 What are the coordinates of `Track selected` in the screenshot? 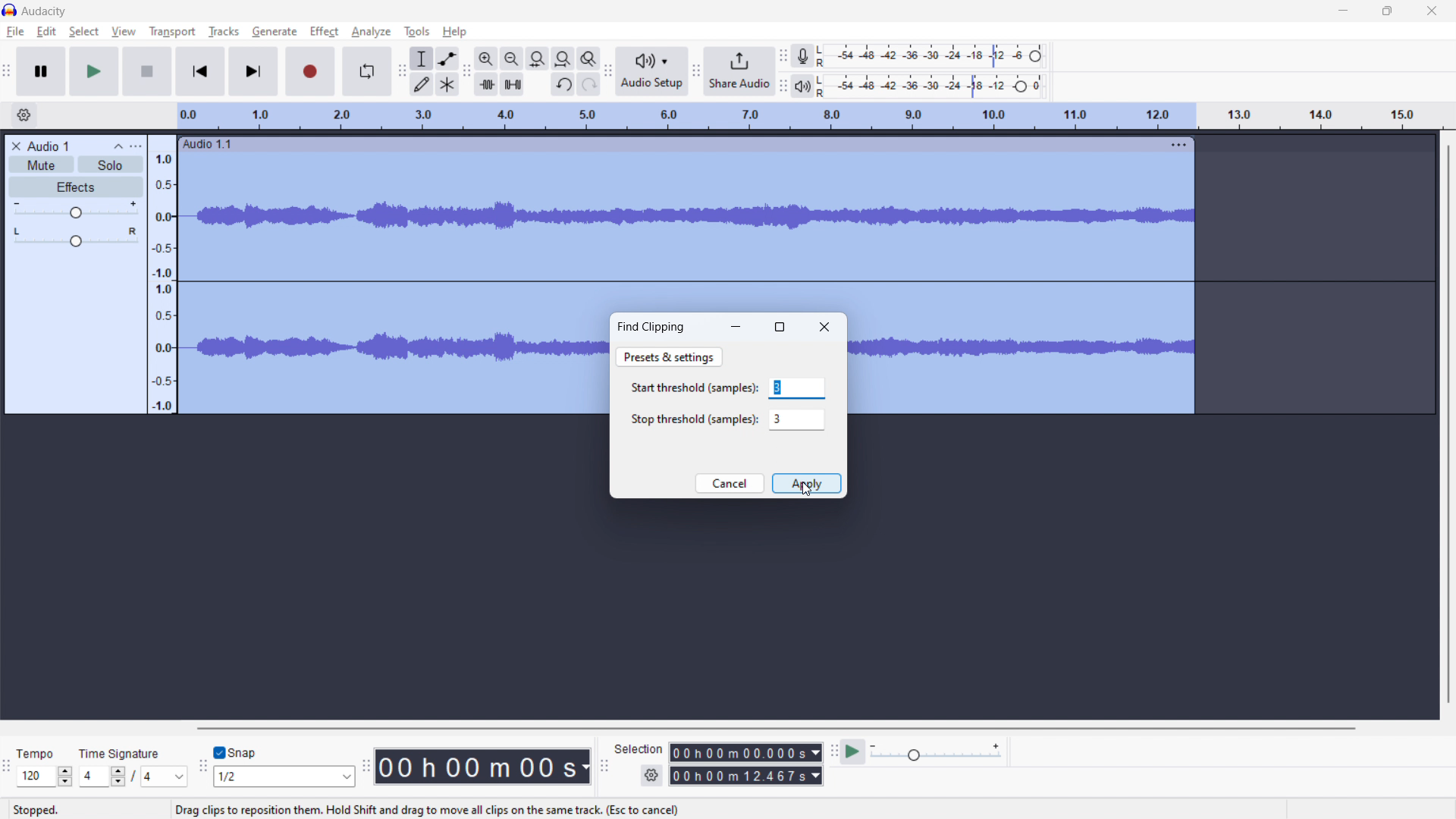 It's located at (921, 363).